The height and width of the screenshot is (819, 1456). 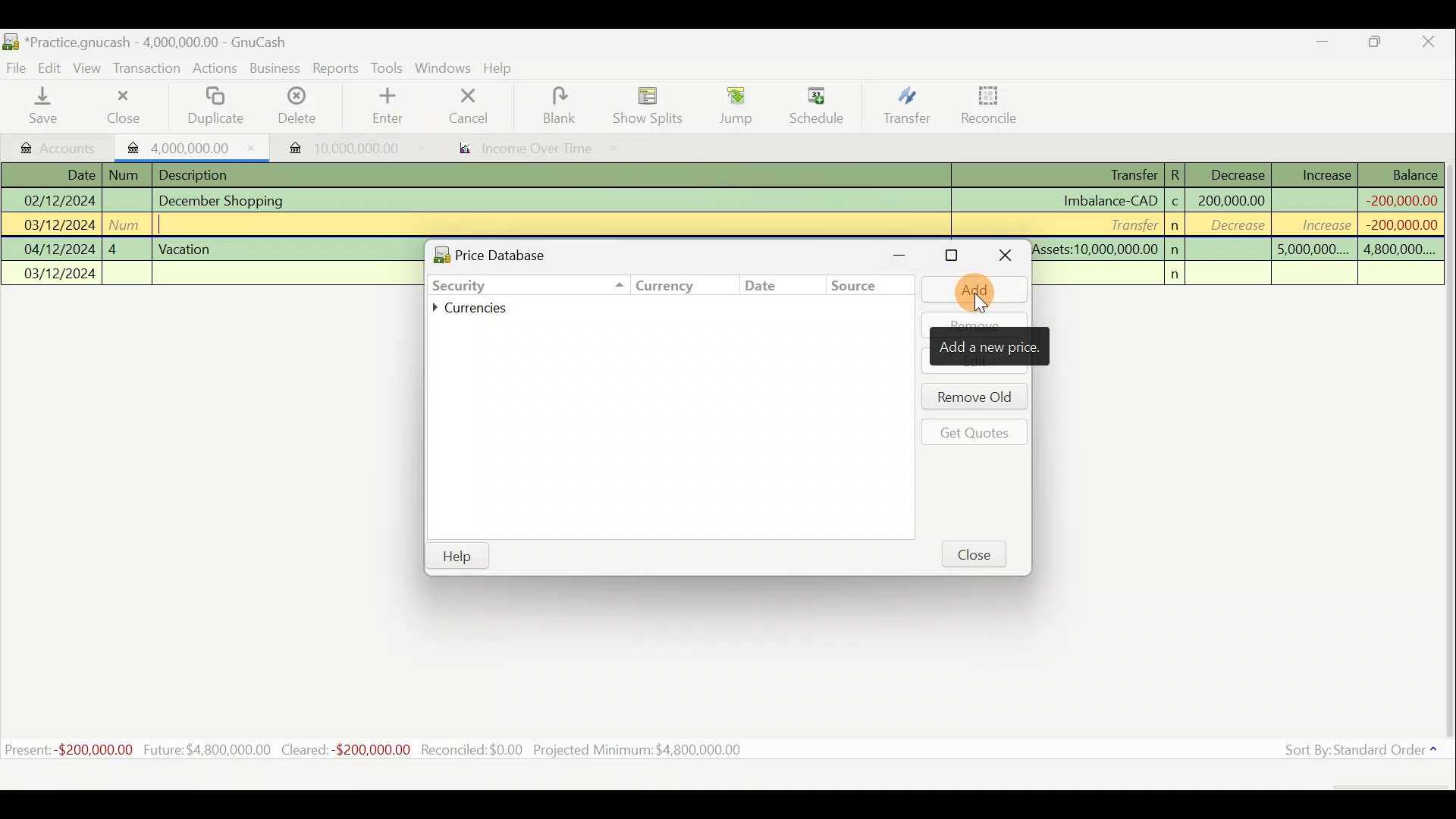 I want to click on Scroll bar, so click(x=1447, y=454).